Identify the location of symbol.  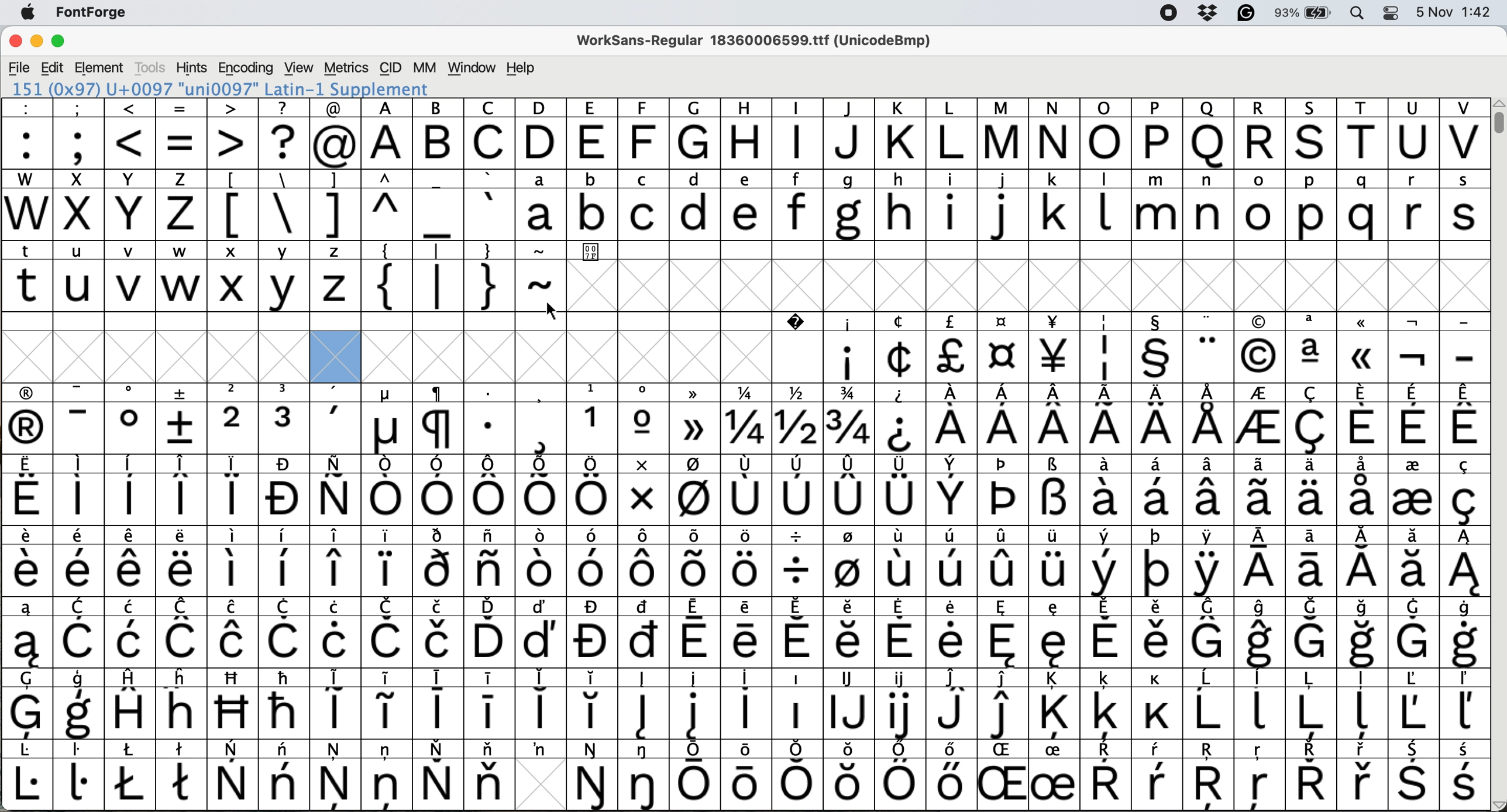
(183, 418).